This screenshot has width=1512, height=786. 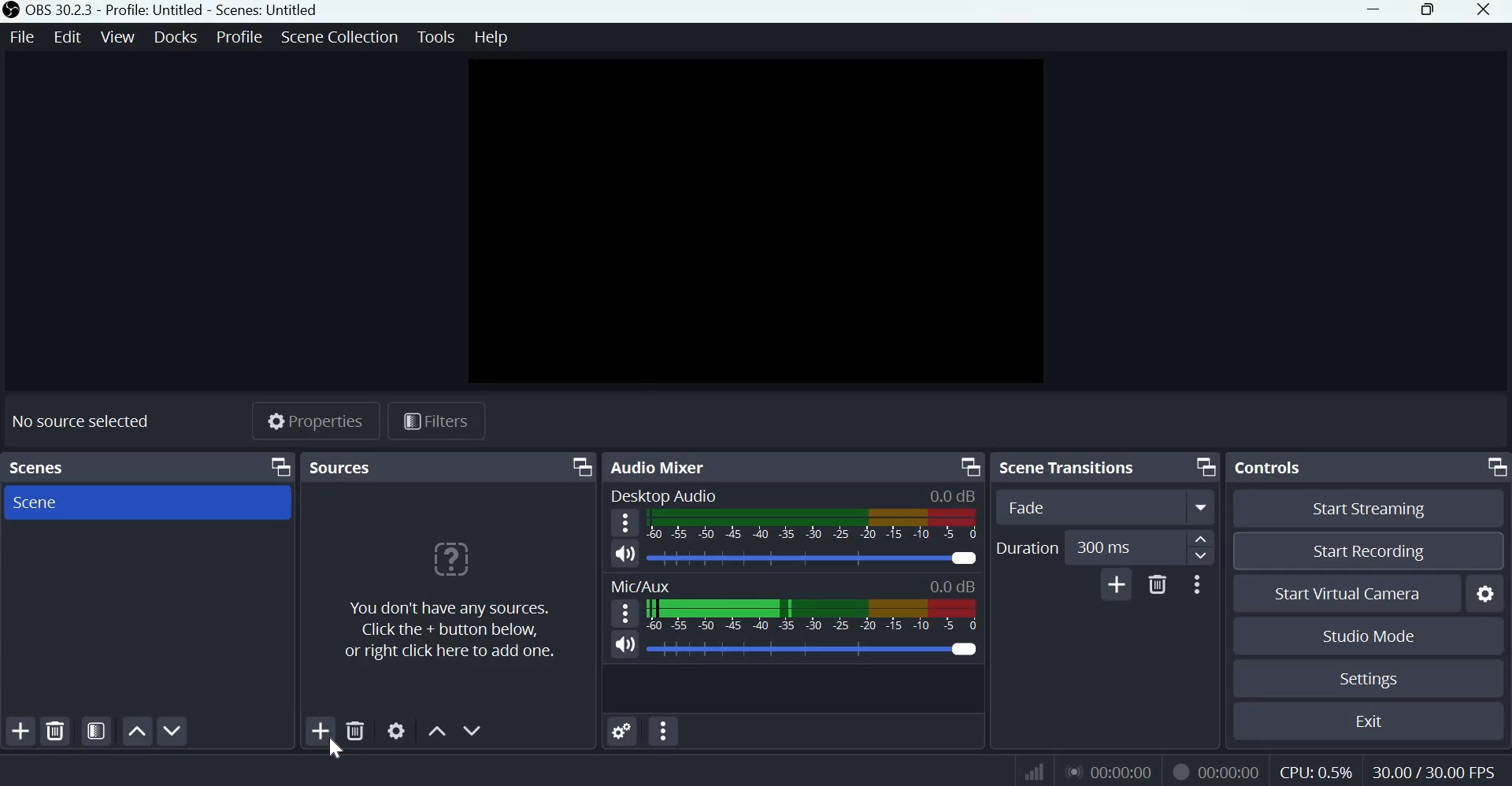 I want to click on Microphone, so click(x=625, y=645).